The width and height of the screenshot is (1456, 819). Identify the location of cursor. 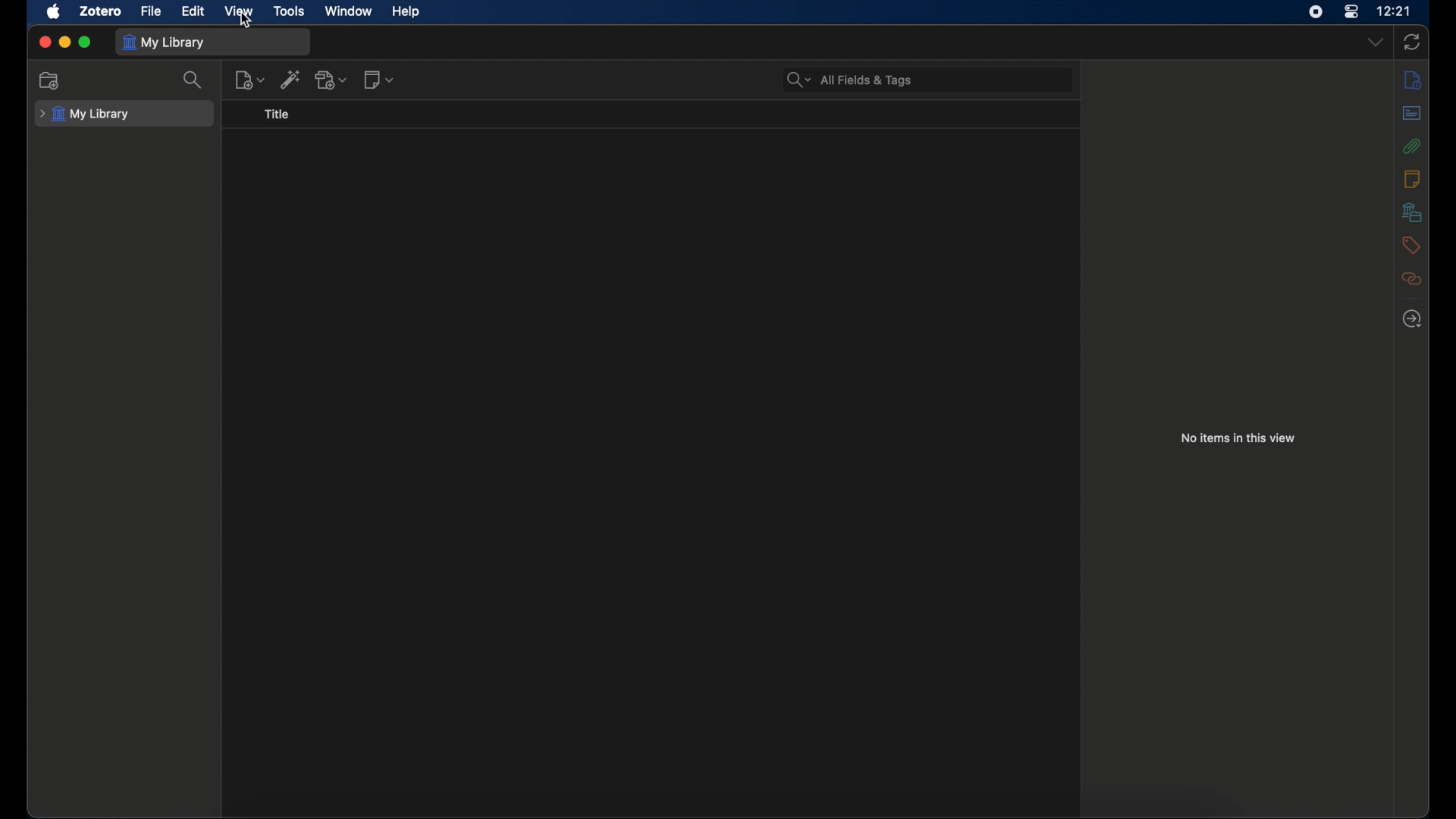
(246, 23).